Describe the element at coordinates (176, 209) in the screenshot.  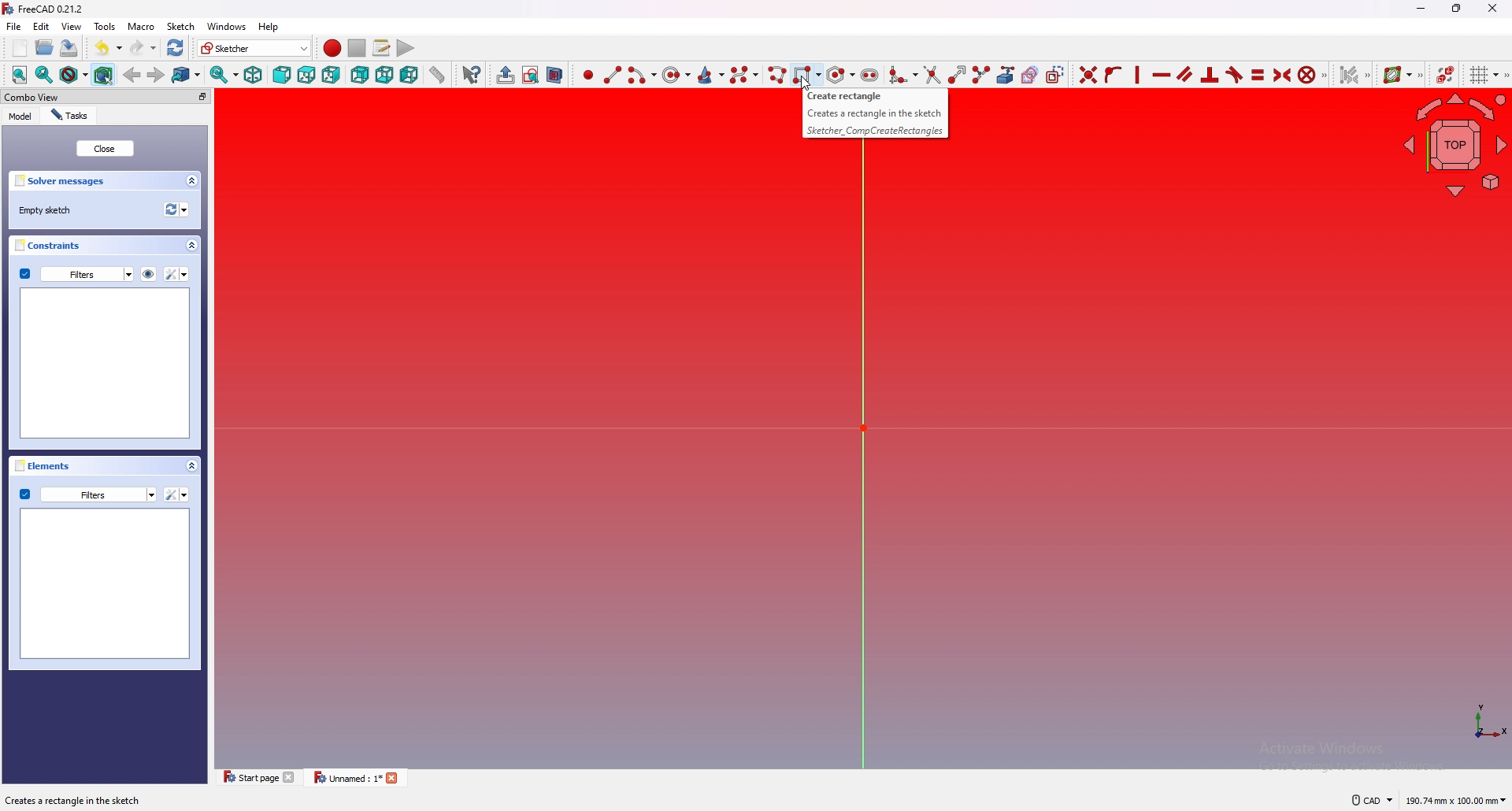
I see `refresh` at that location.